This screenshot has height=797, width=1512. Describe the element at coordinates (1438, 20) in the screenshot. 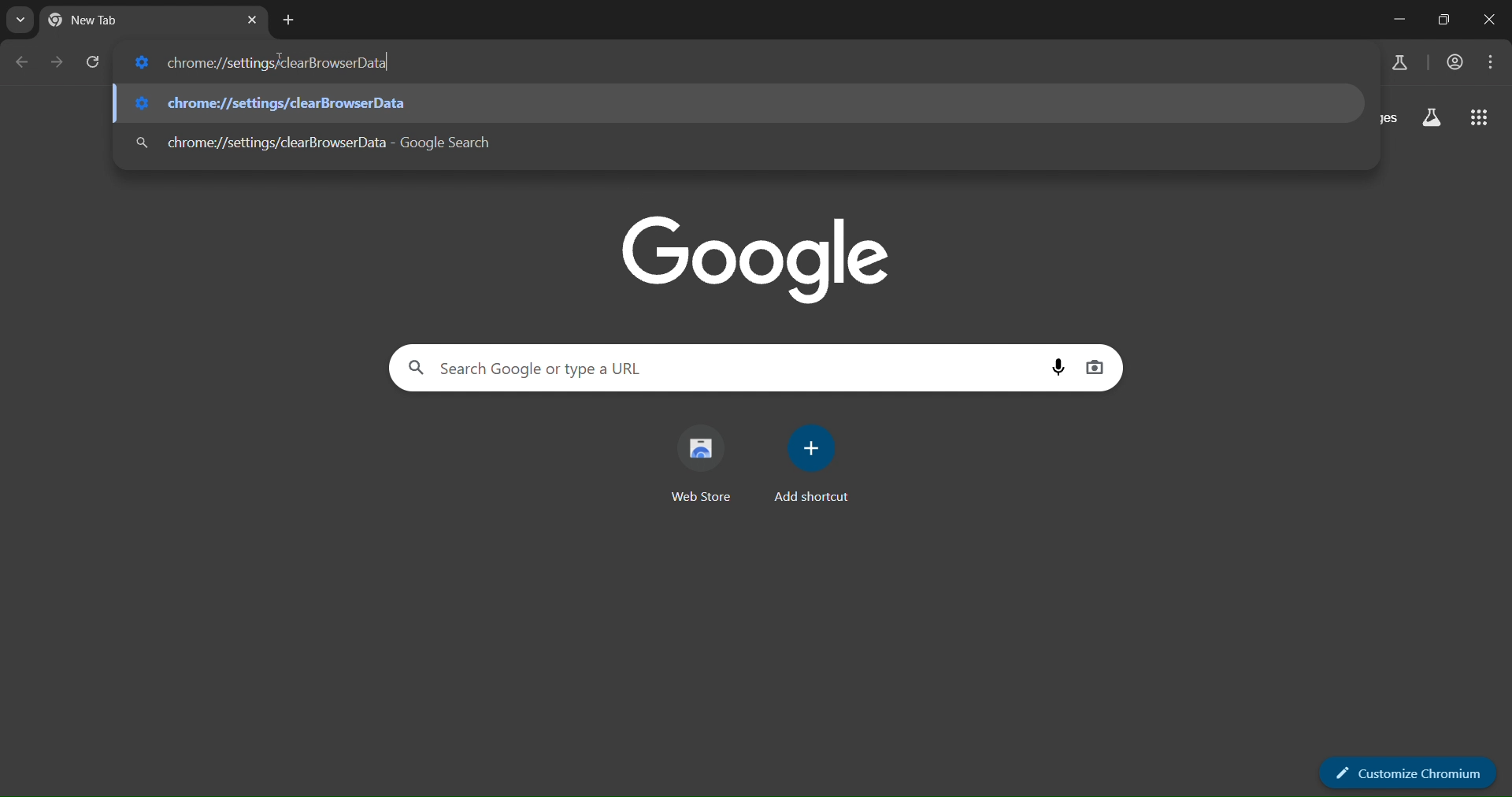

I see `maximize` at that location.